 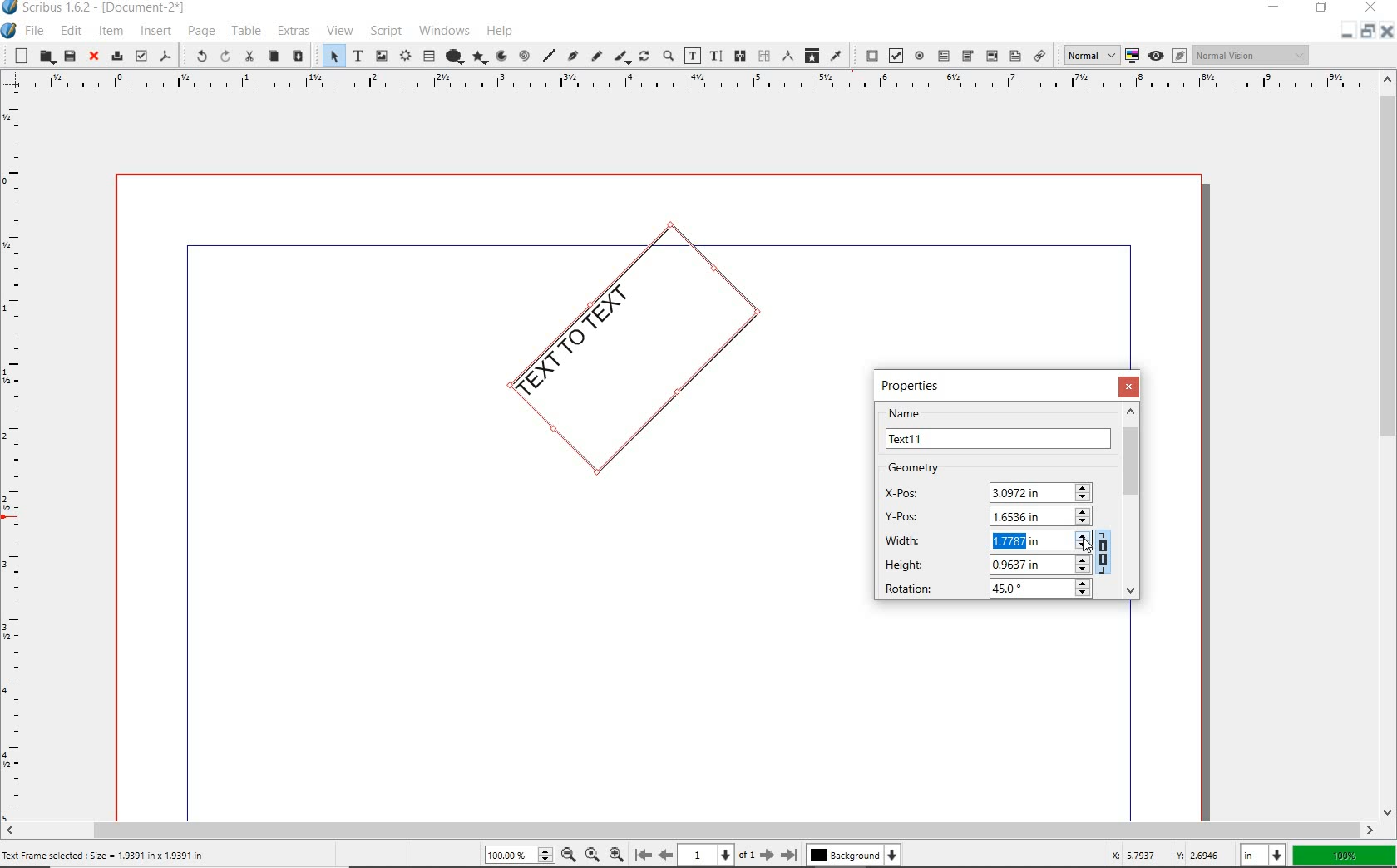 I want to click on zoom factor, so click(x=1345, y=856).